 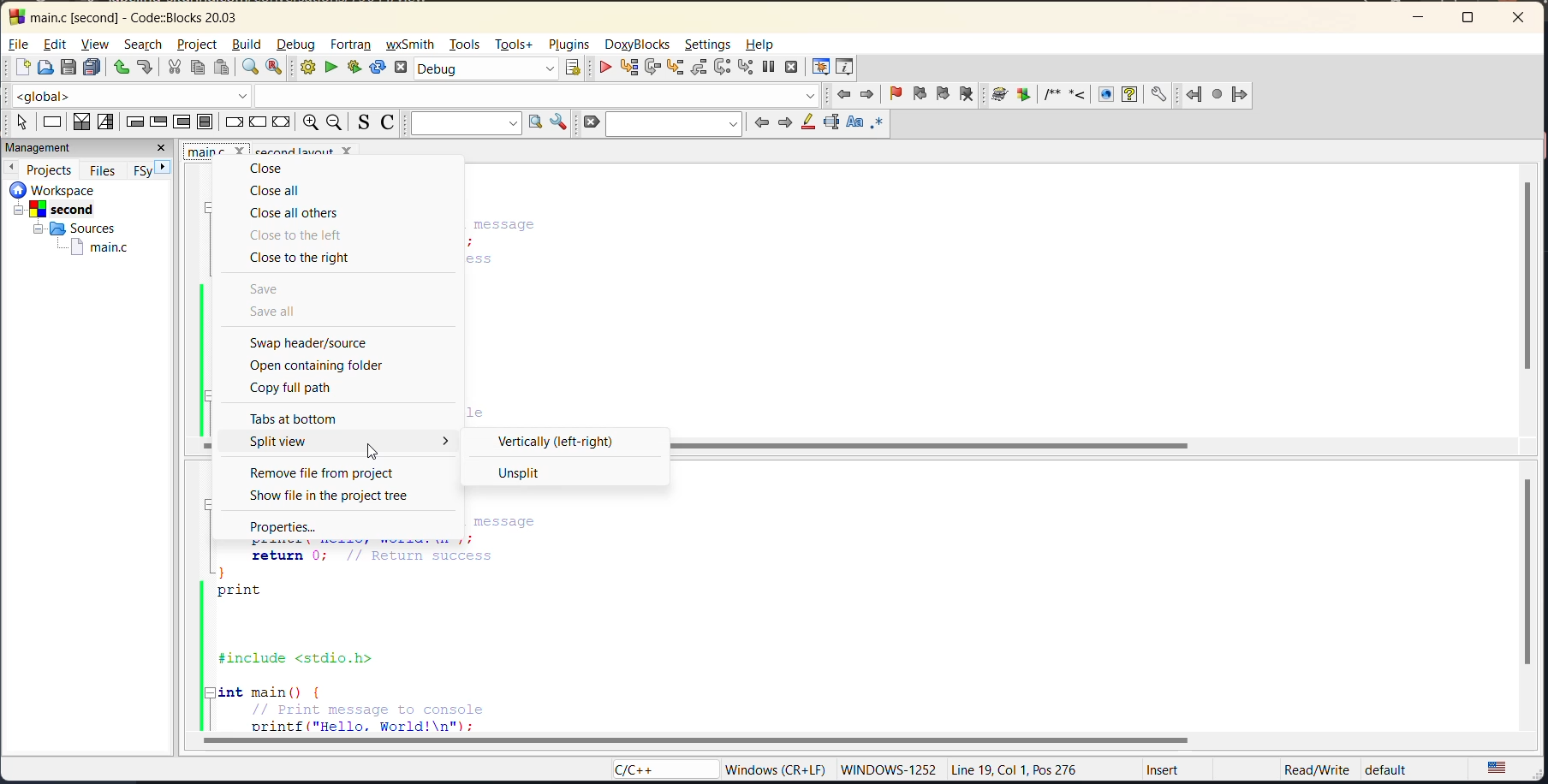 I want to click on break debugger, so click(x=767, y=68).